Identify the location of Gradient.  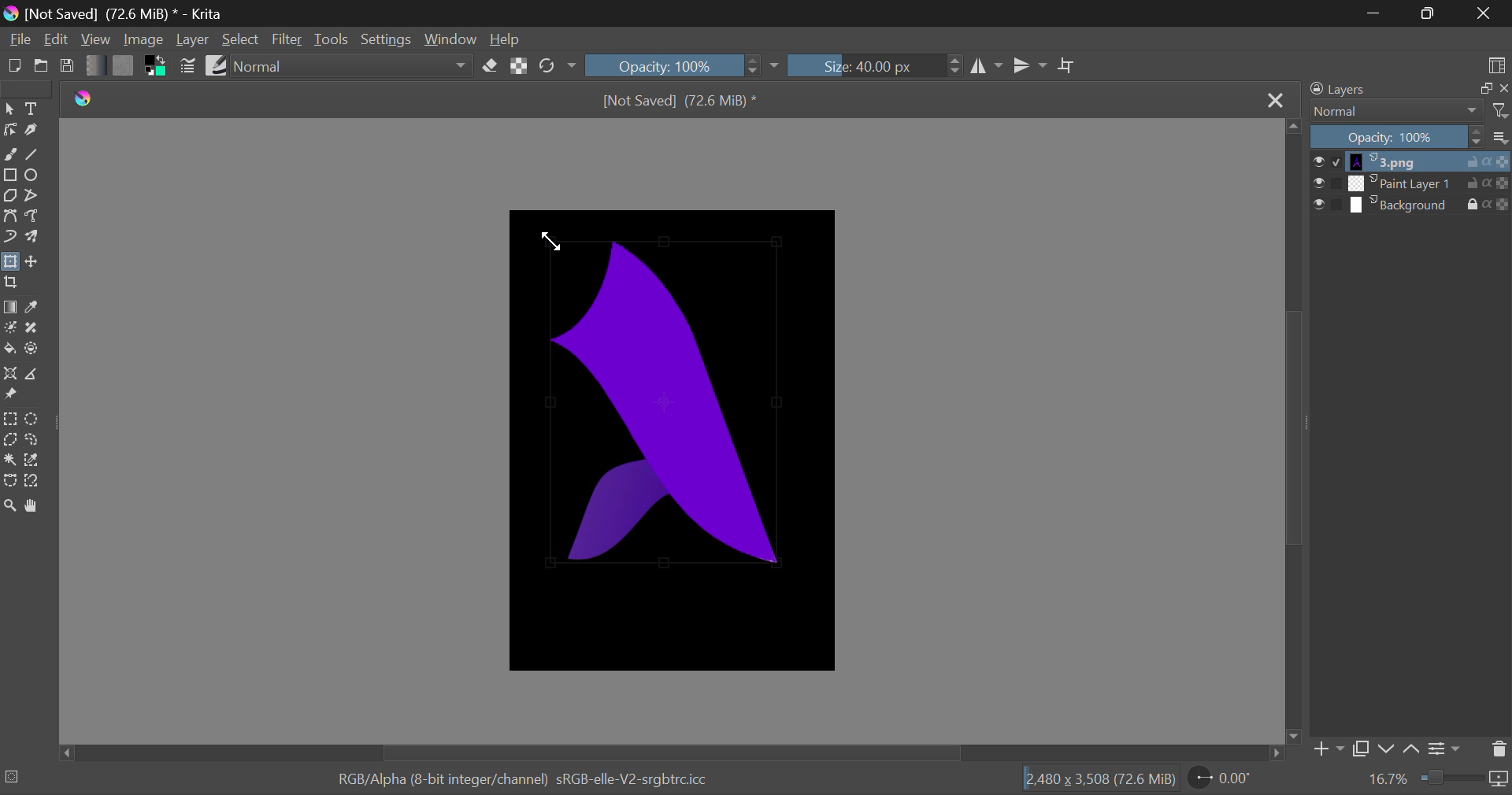
(94, 66).